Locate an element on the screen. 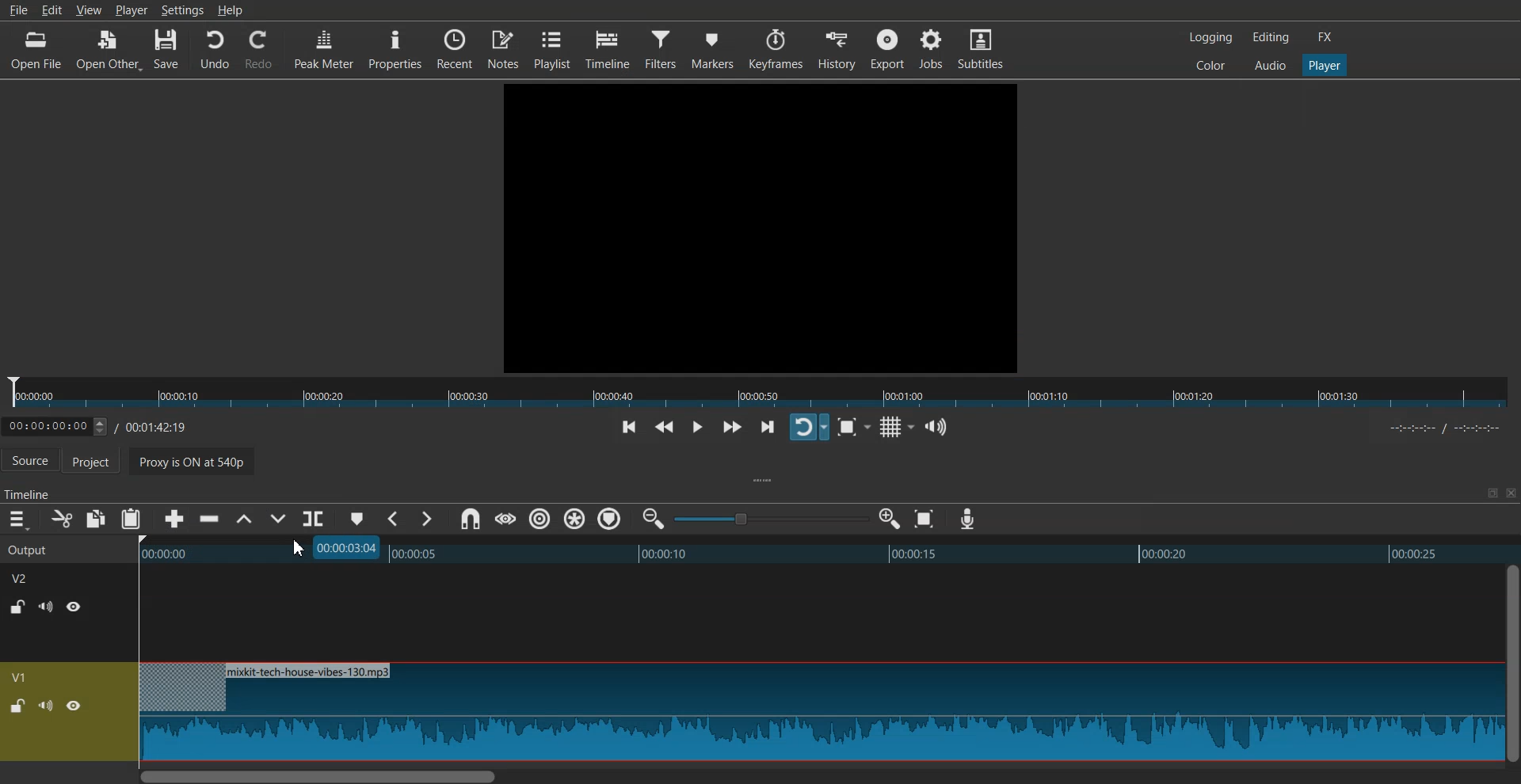 This screenshot has height=784, width=1521. Peak Meter is located at coordinates (324, 48).